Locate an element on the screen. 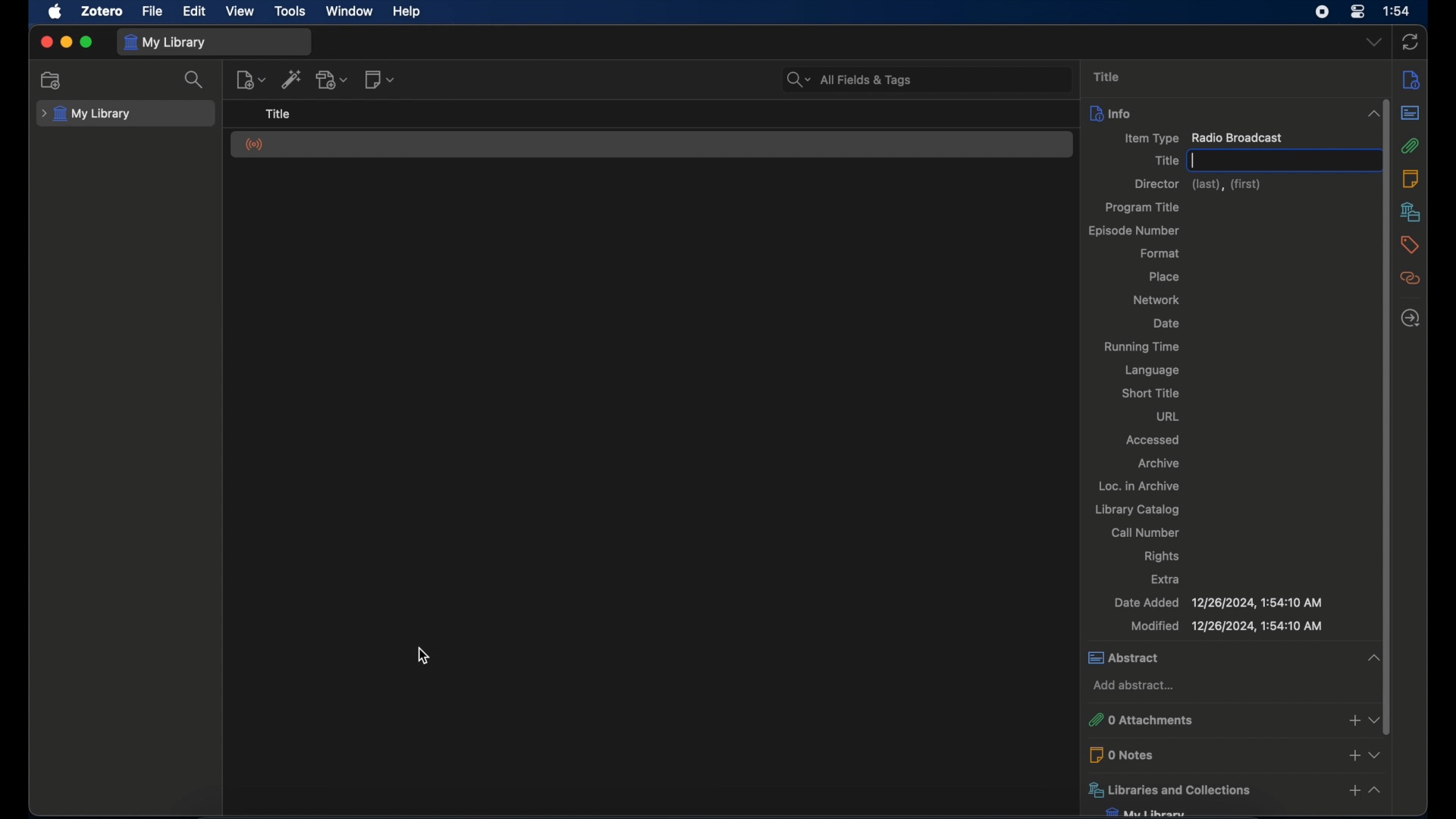 This screenshot has height=819, width=1456. radio broadcast is located at coordinates (256, 146).